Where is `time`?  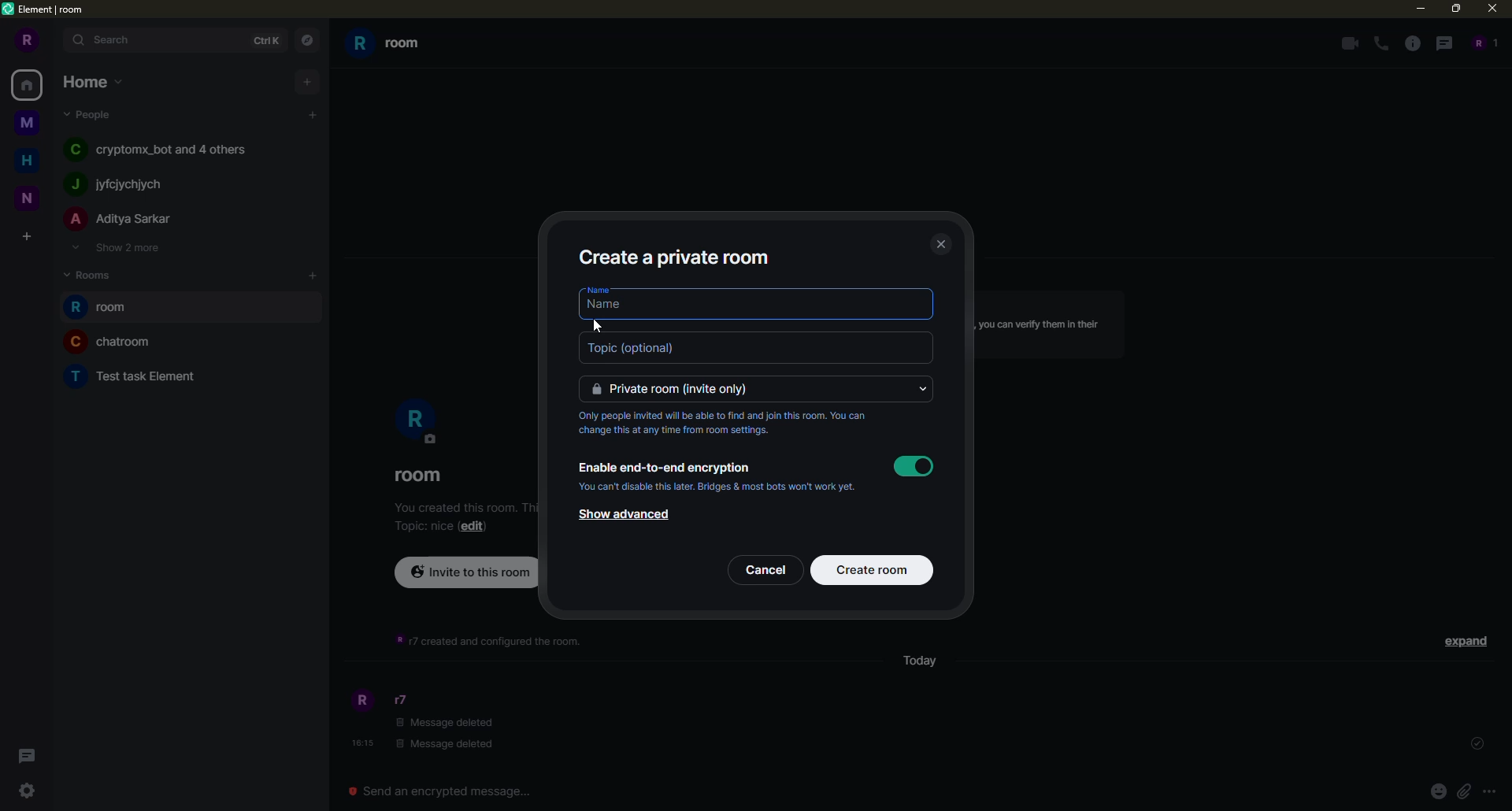 time is located at coordinates (360, 742).